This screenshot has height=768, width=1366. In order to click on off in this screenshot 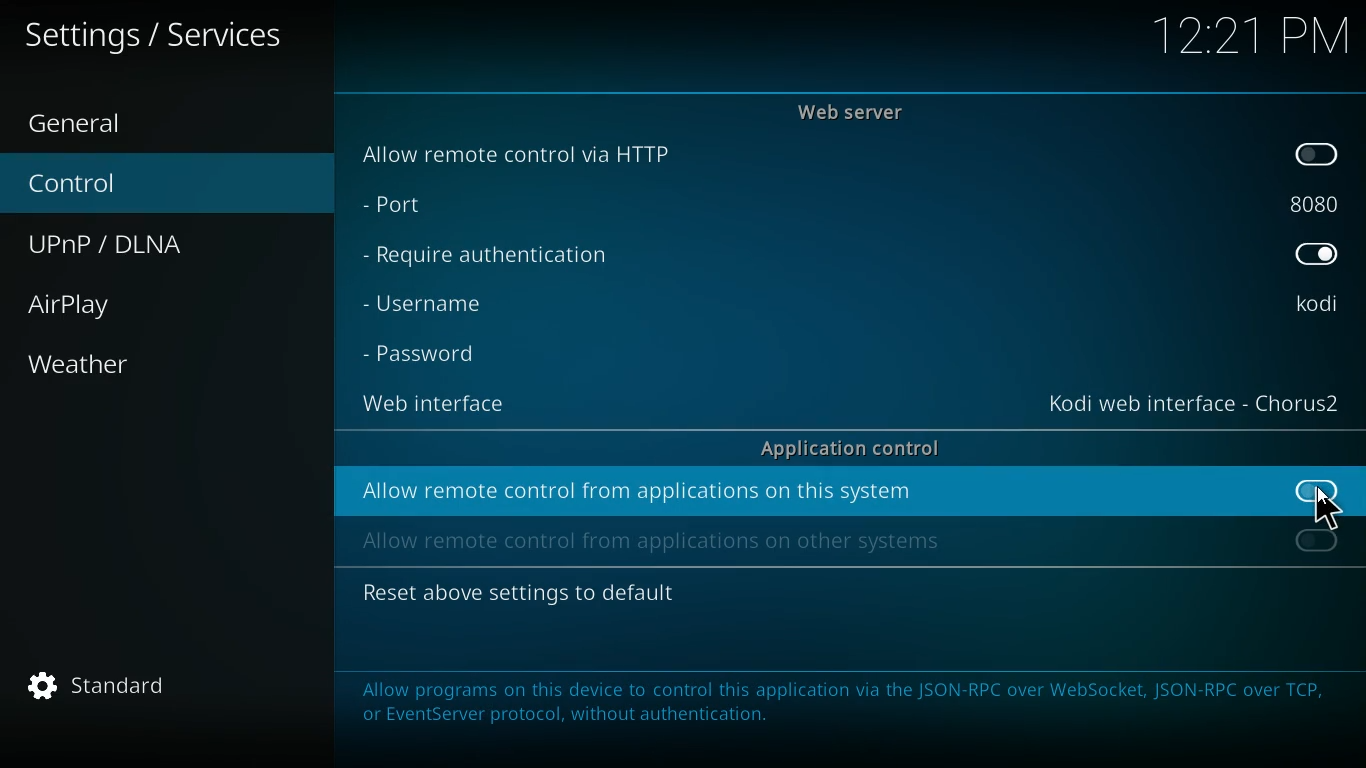, I will do `click(1321, 494)`.